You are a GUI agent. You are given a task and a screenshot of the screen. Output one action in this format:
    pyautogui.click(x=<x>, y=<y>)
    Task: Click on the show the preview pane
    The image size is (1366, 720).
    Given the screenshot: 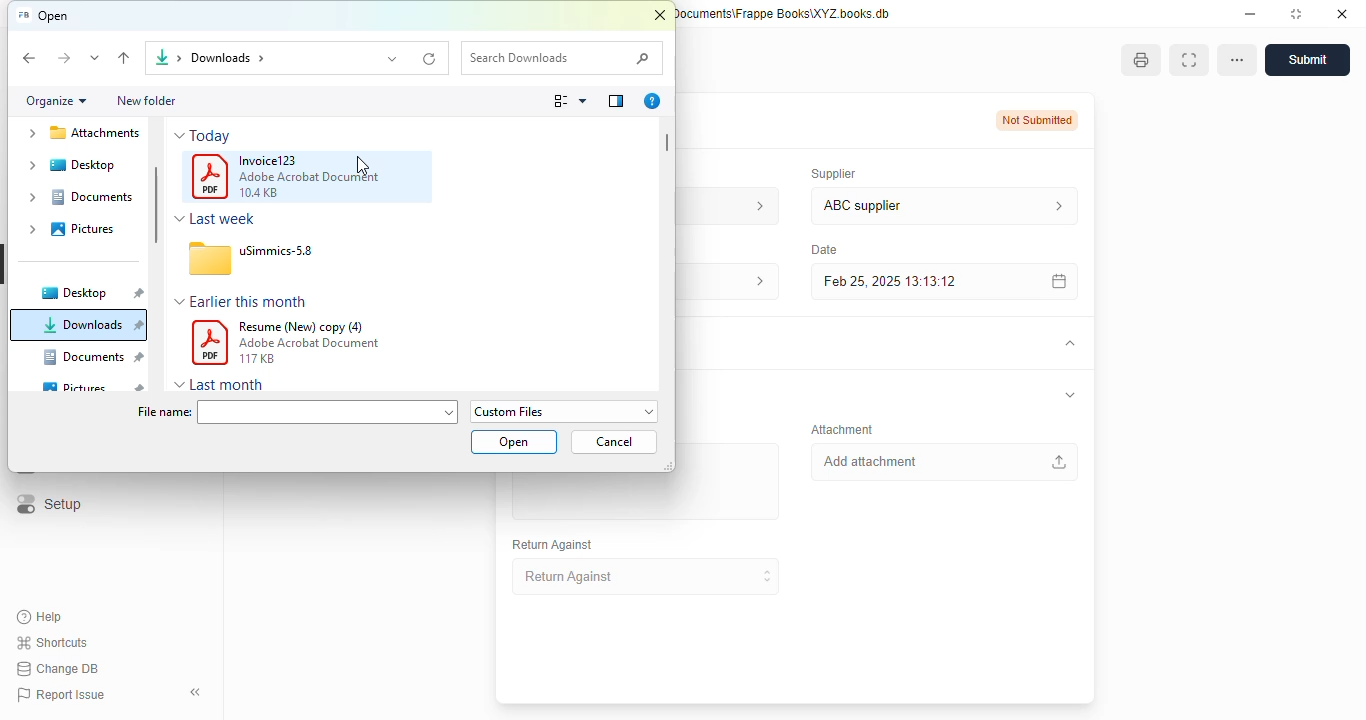 What is the action you would take?
    pyautogui.click(x=616, y=101)
    